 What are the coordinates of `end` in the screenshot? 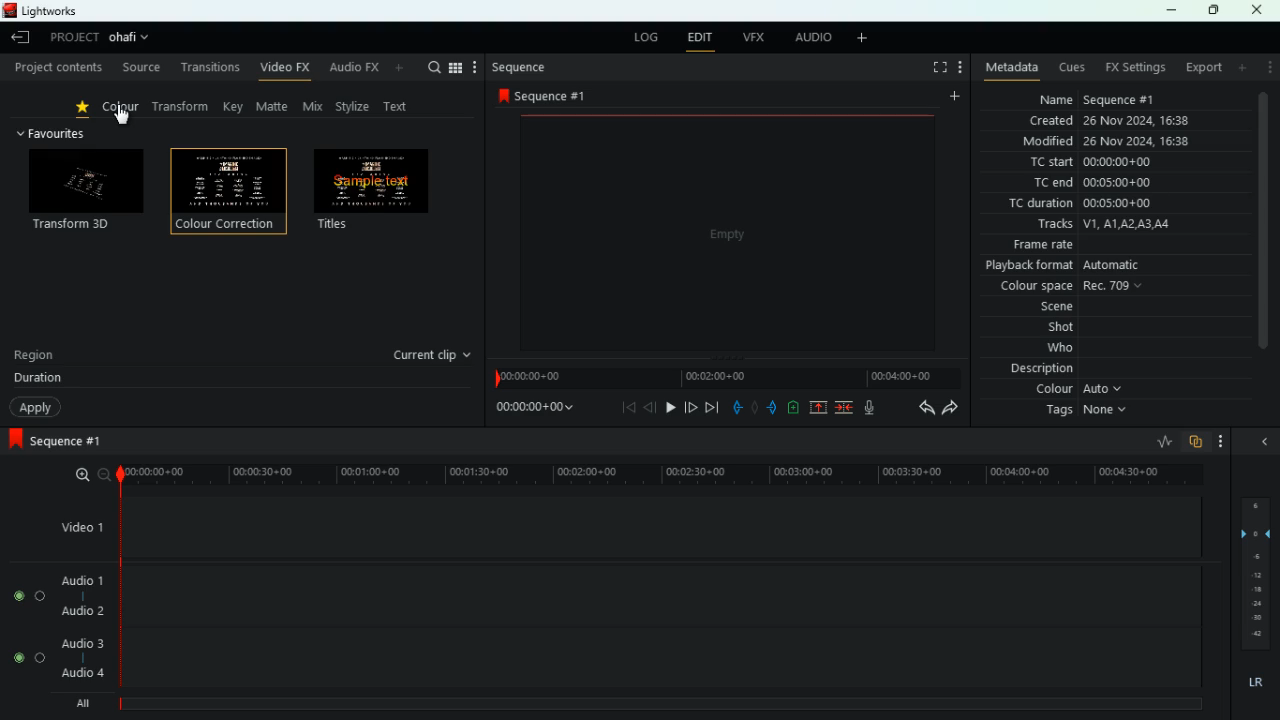 It's located at (710, 408).